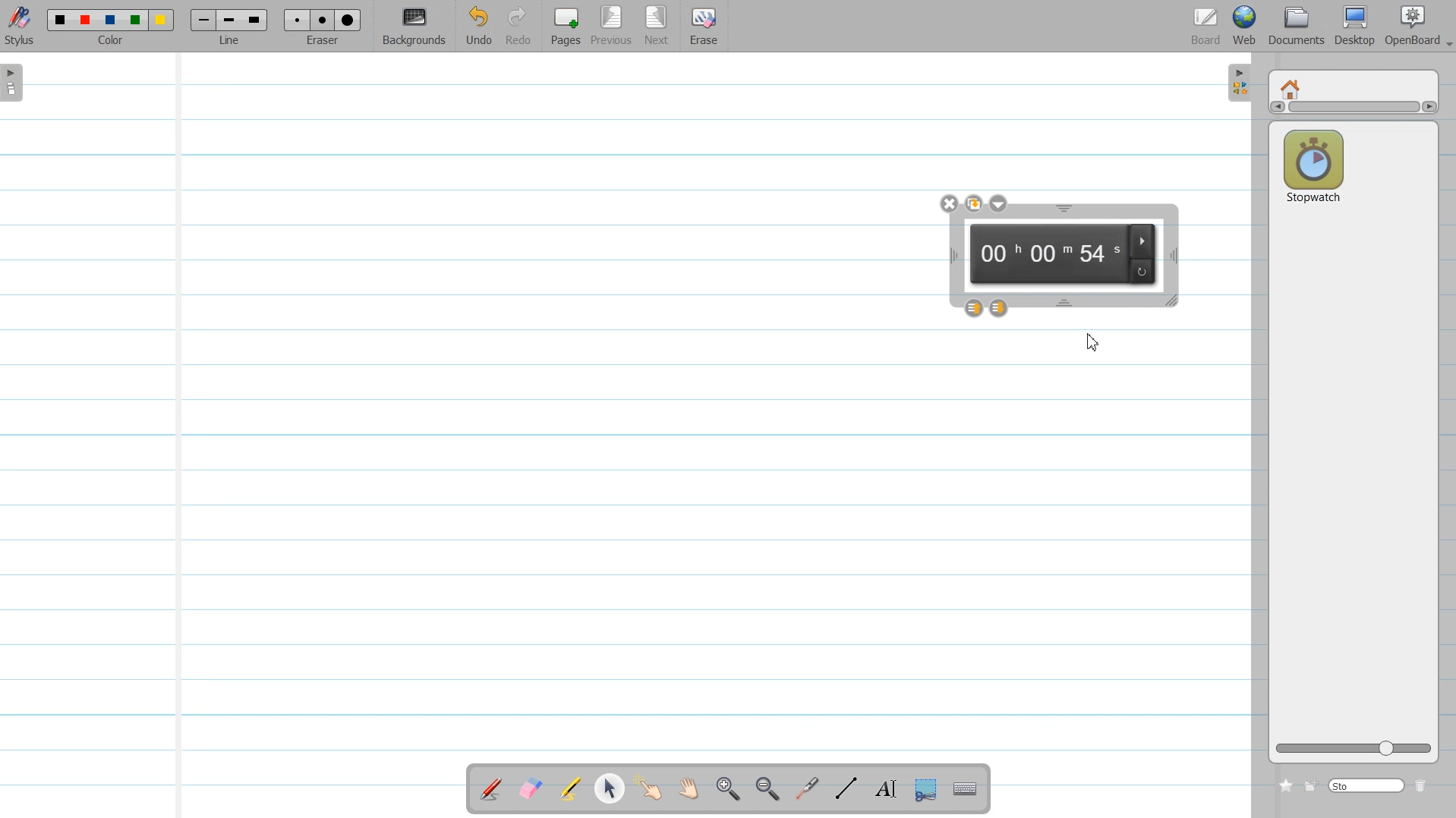 Image resolution: width=1456 pixels, height=818 pixels. I want to click on Time window Hight adjustment, so click(1066, 303).